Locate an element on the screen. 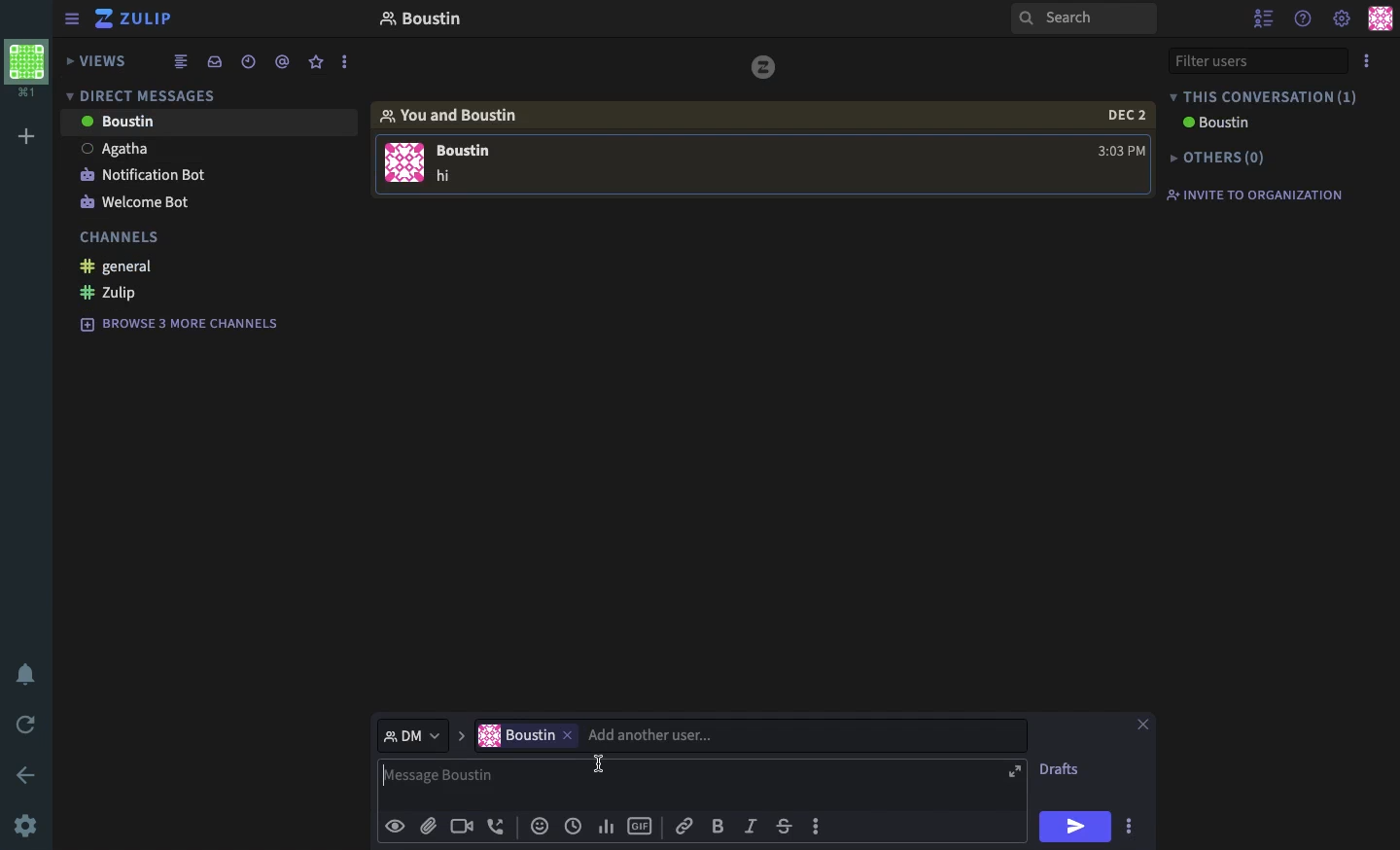 This screenshot has width=1400, height=850. options is located at coordinates (1367, 61).